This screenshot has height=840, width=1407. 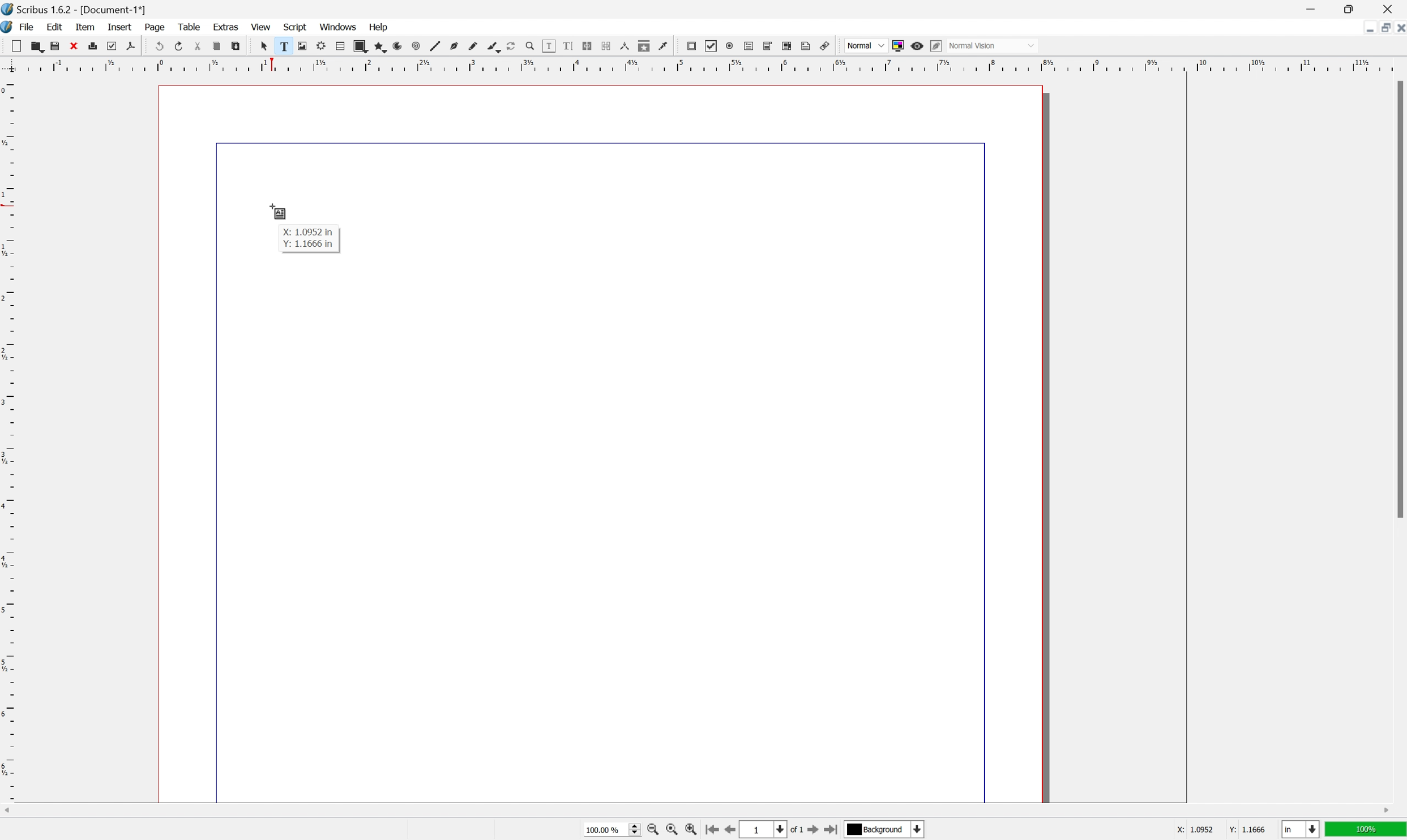 What do you see at coordinates (749, 46) in the screenshot?
I see `pdf text field` at bounding box center [749, 46].